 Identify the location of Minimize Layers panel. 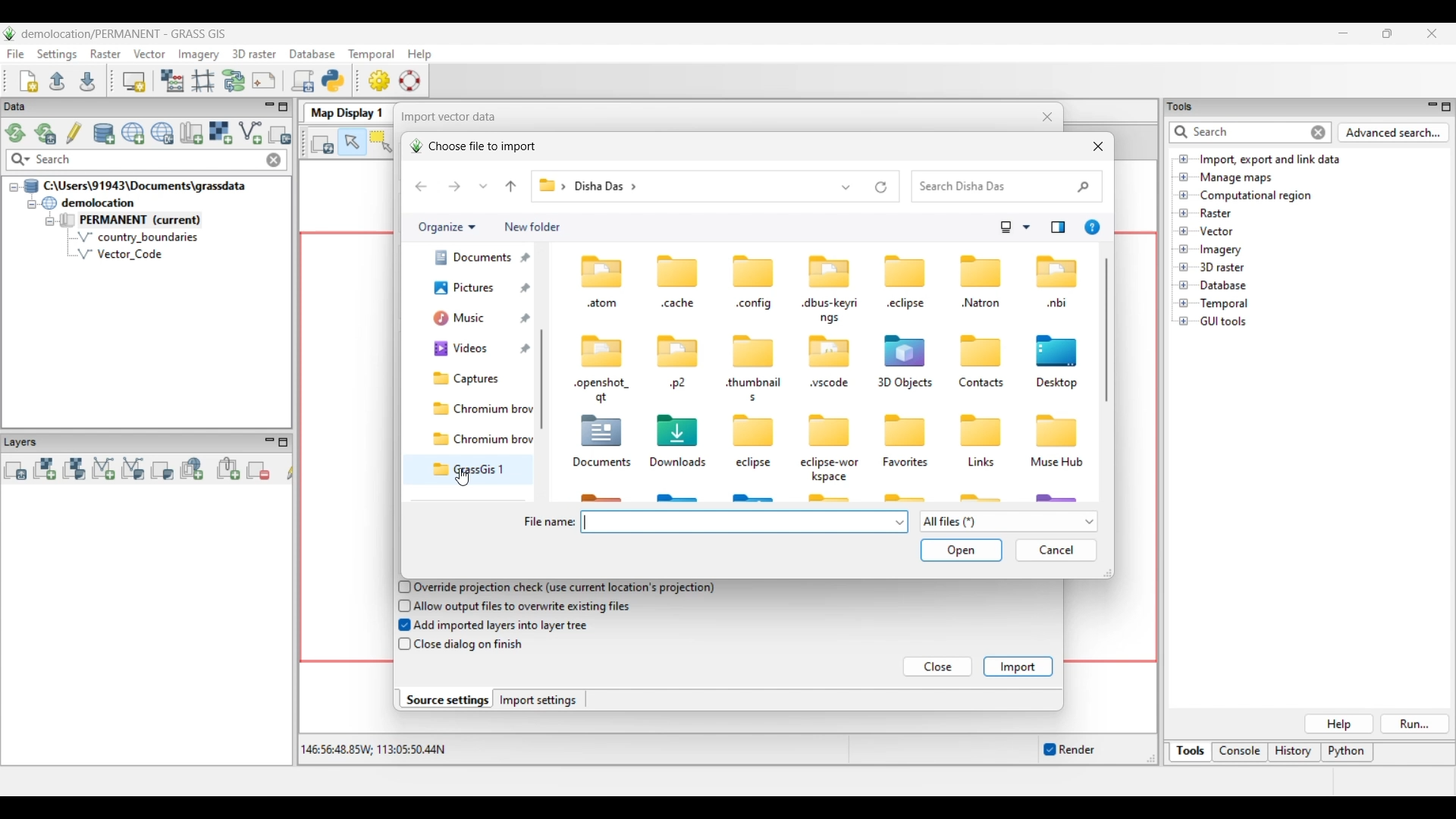
(269, 442).